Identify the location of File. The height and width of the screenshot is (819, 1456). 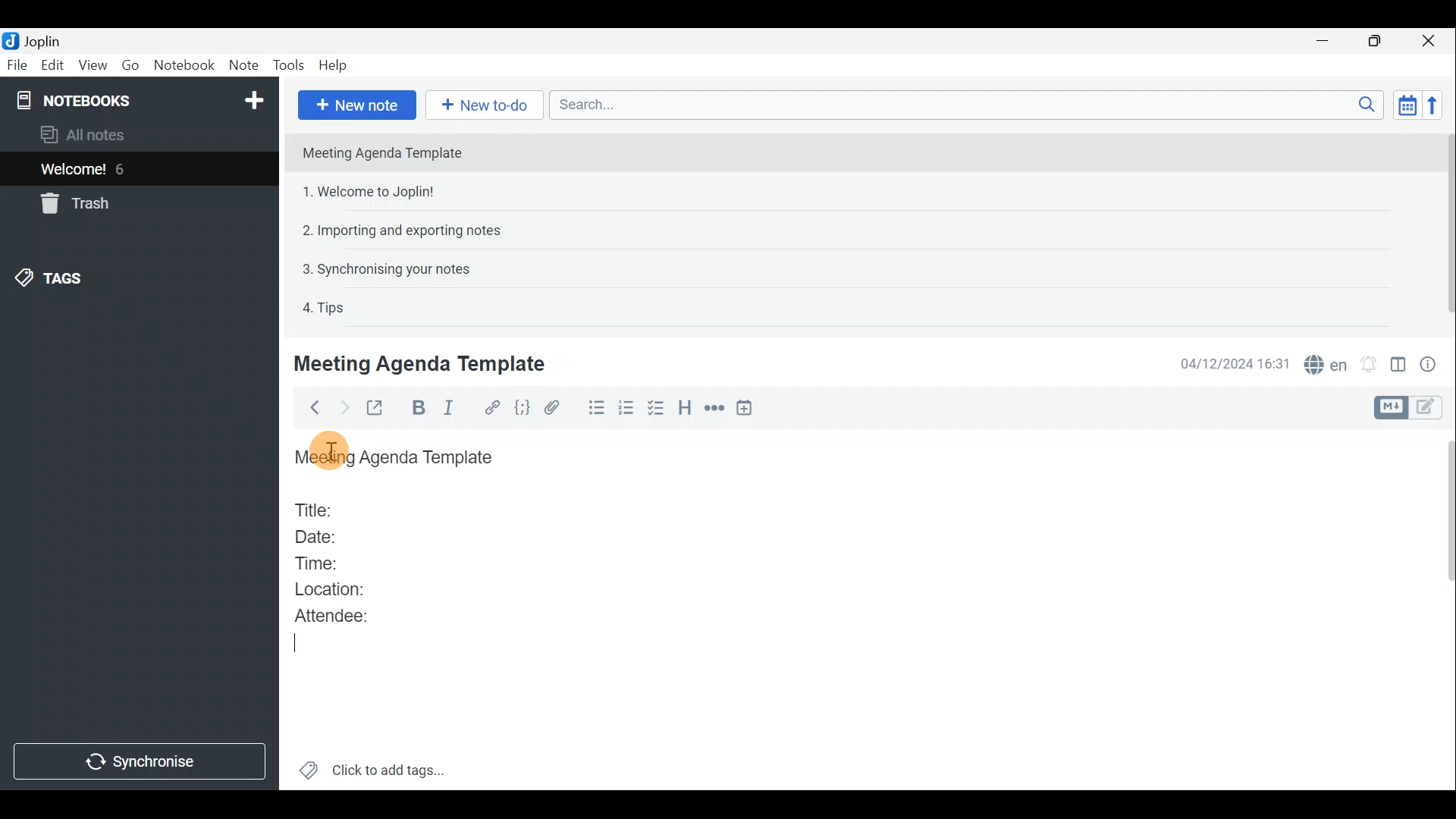
(17, 64).